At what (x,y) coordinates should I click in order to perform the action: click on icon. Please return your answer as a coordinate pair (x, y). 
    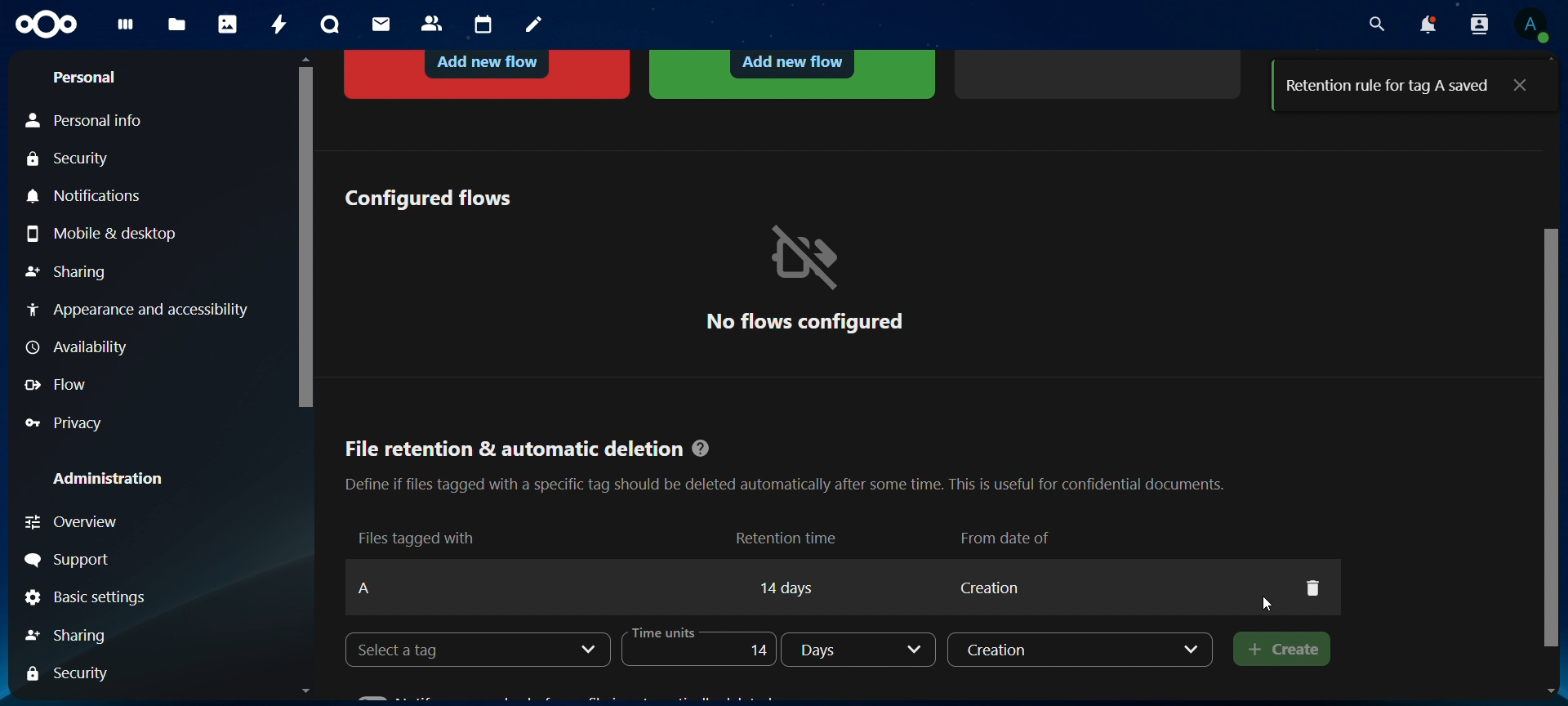
    Looking at the image, I should click on (48, 25).